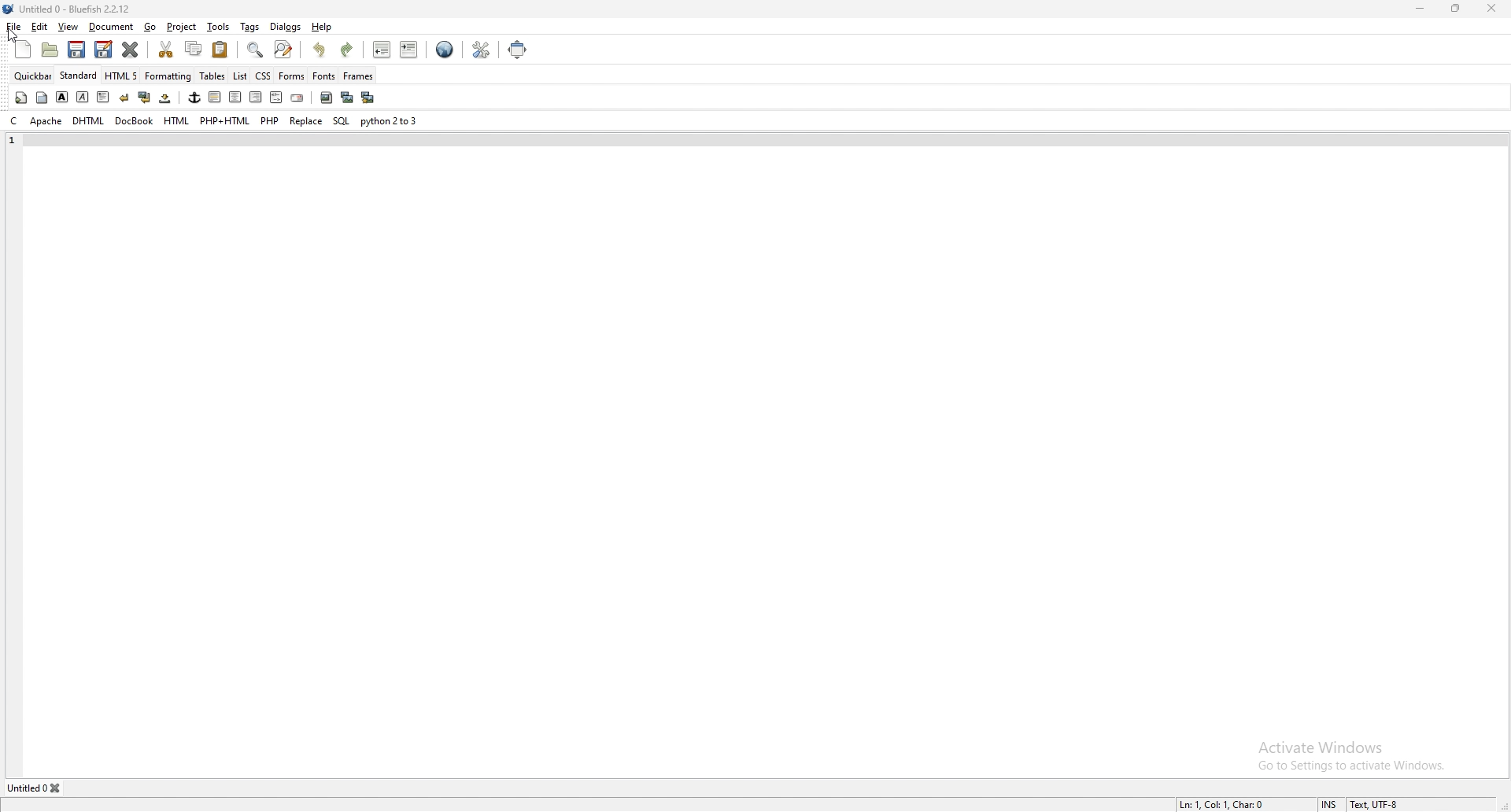  Describe the element at coordinates (277, 98) in the screenshot. I see `html comment` at that location.